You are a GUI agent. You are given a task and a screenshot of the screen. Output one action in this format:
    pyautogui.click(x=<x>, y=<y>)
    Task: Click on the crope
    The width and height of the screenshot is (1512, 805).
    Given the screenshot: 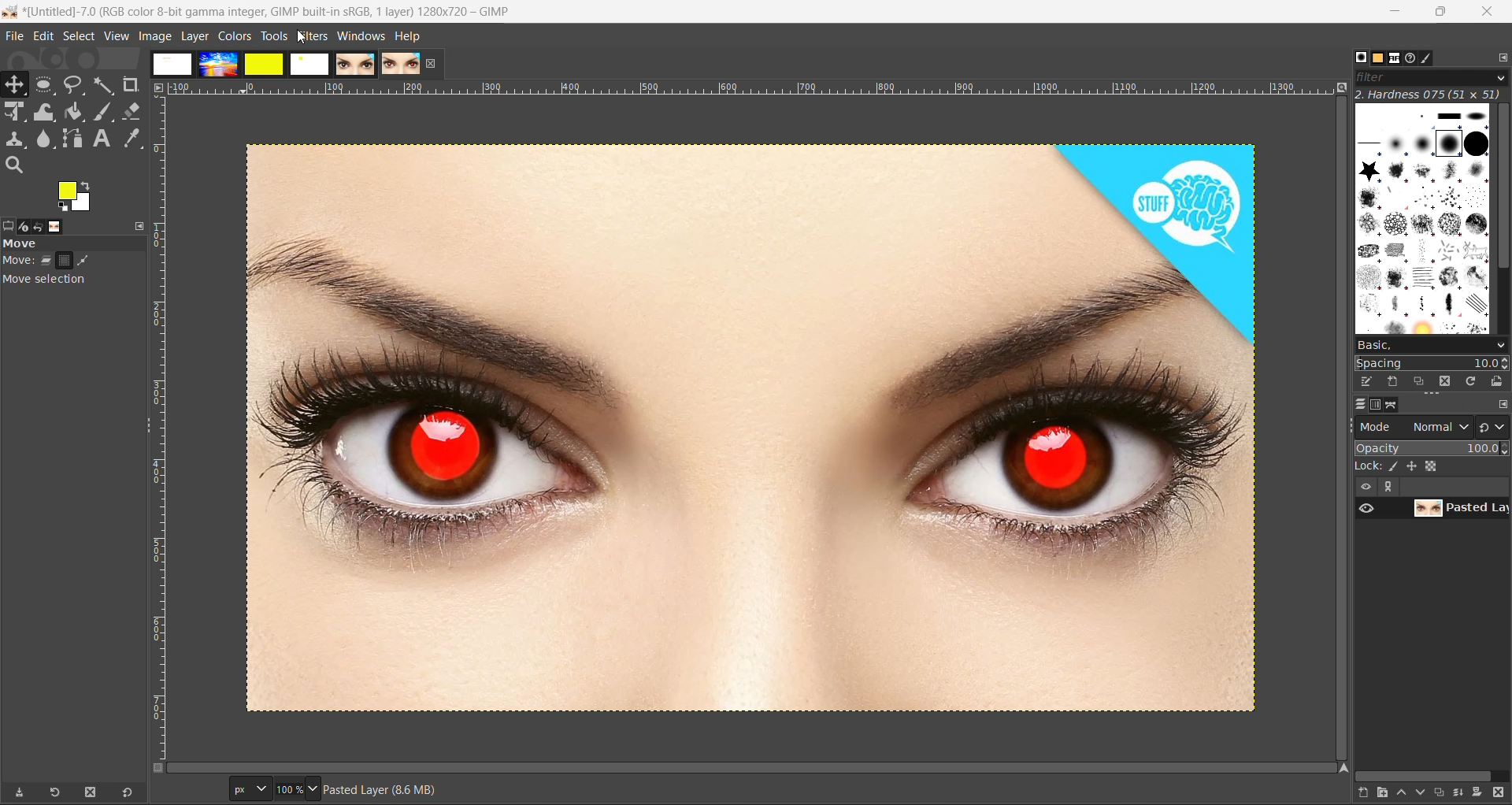 What is the action you would take?
    pyautogui.click(x=129, y=84)
    